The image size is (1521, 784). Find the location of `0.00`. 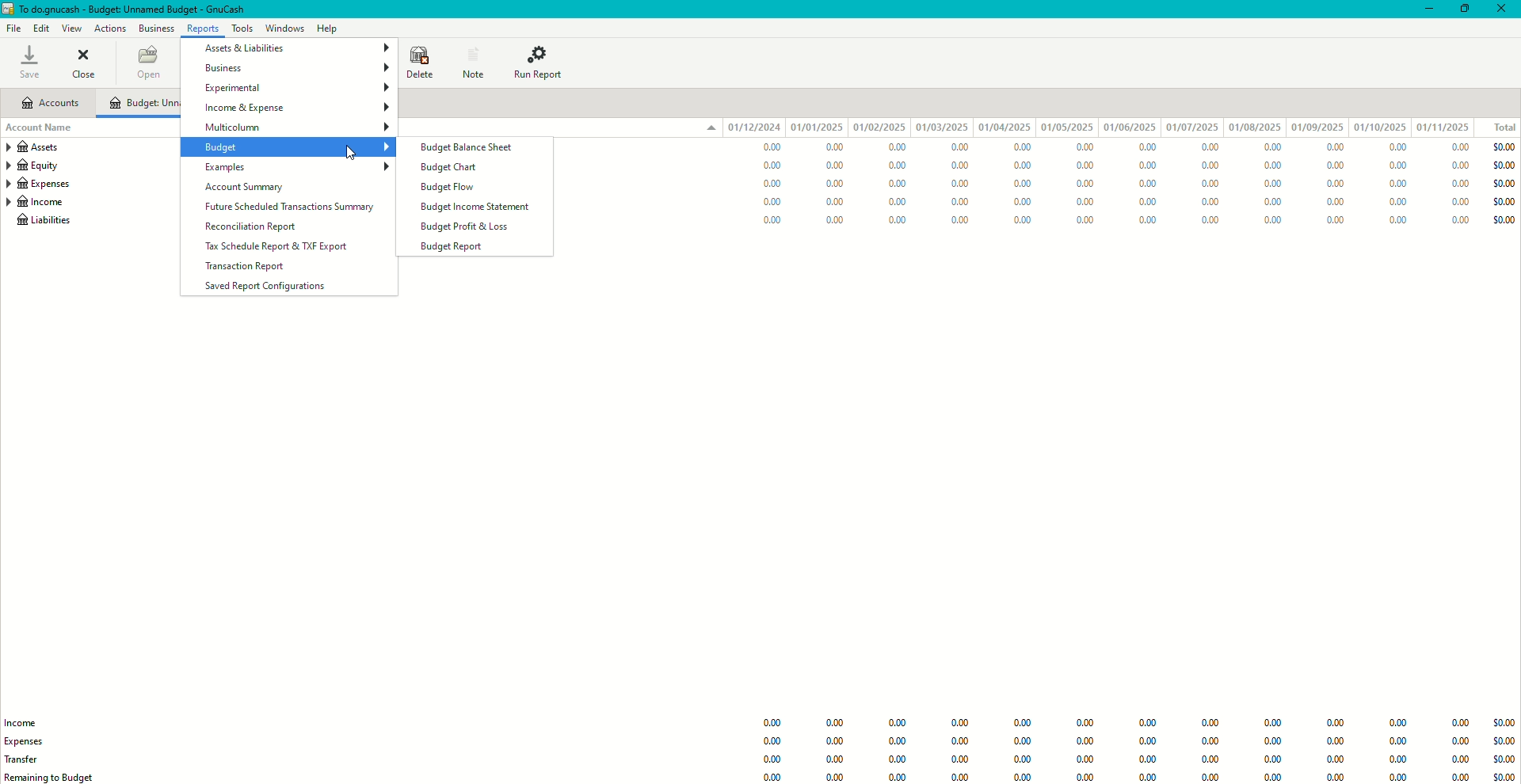

0.00 is located at coordinates (897, 740).